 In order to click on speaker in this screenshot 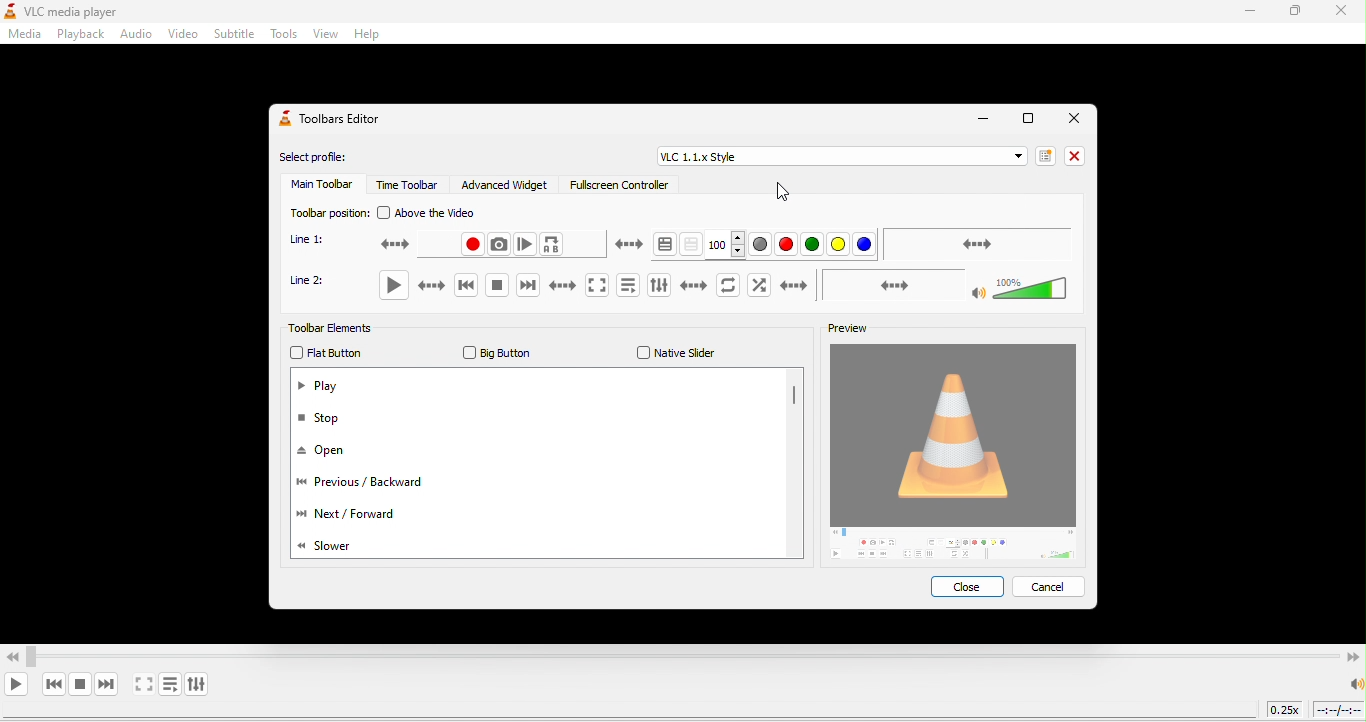, I will do `click(1354, 684)`.